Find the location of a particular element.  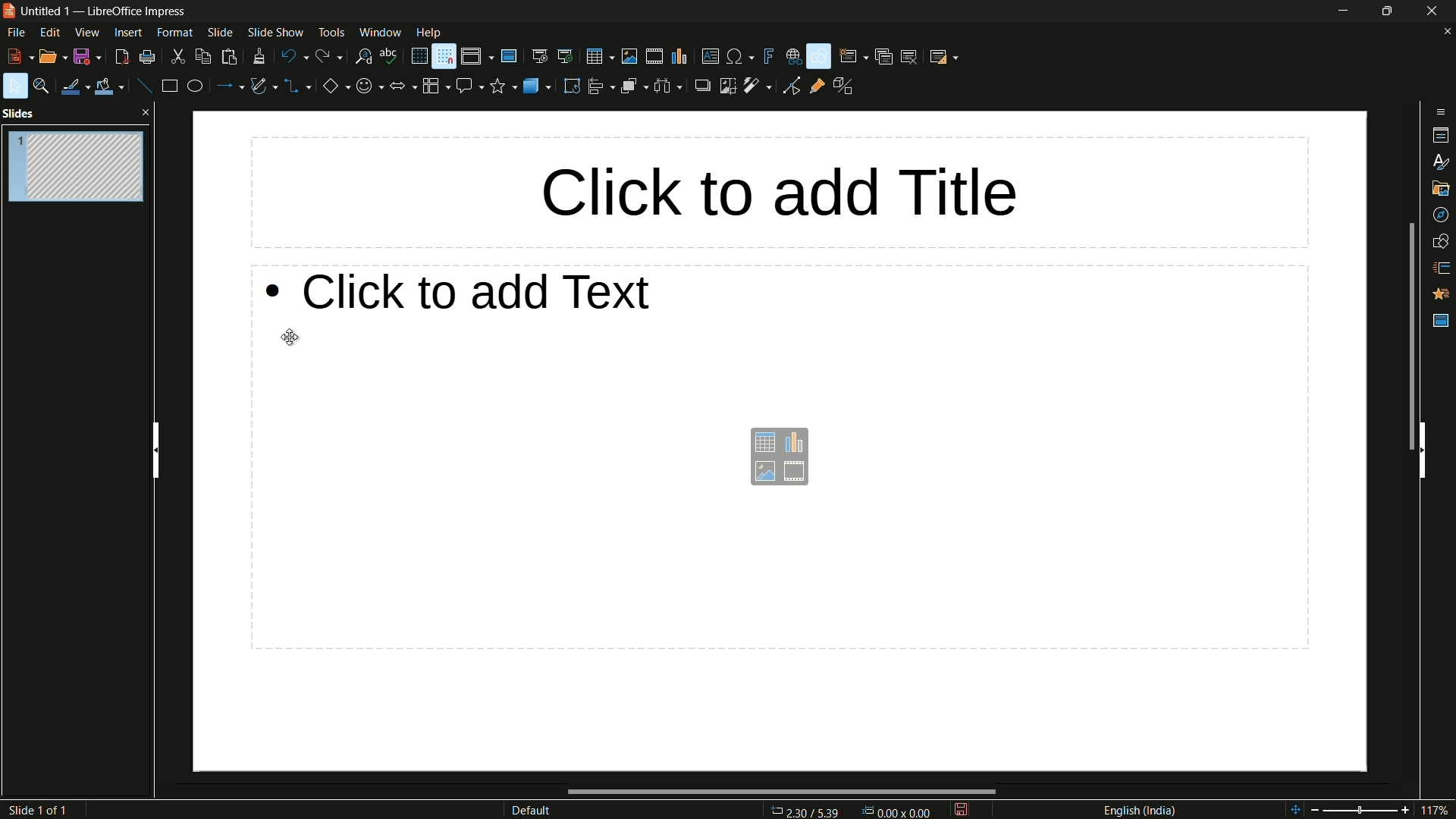

snap to grid is located at coordinates (444, 57).